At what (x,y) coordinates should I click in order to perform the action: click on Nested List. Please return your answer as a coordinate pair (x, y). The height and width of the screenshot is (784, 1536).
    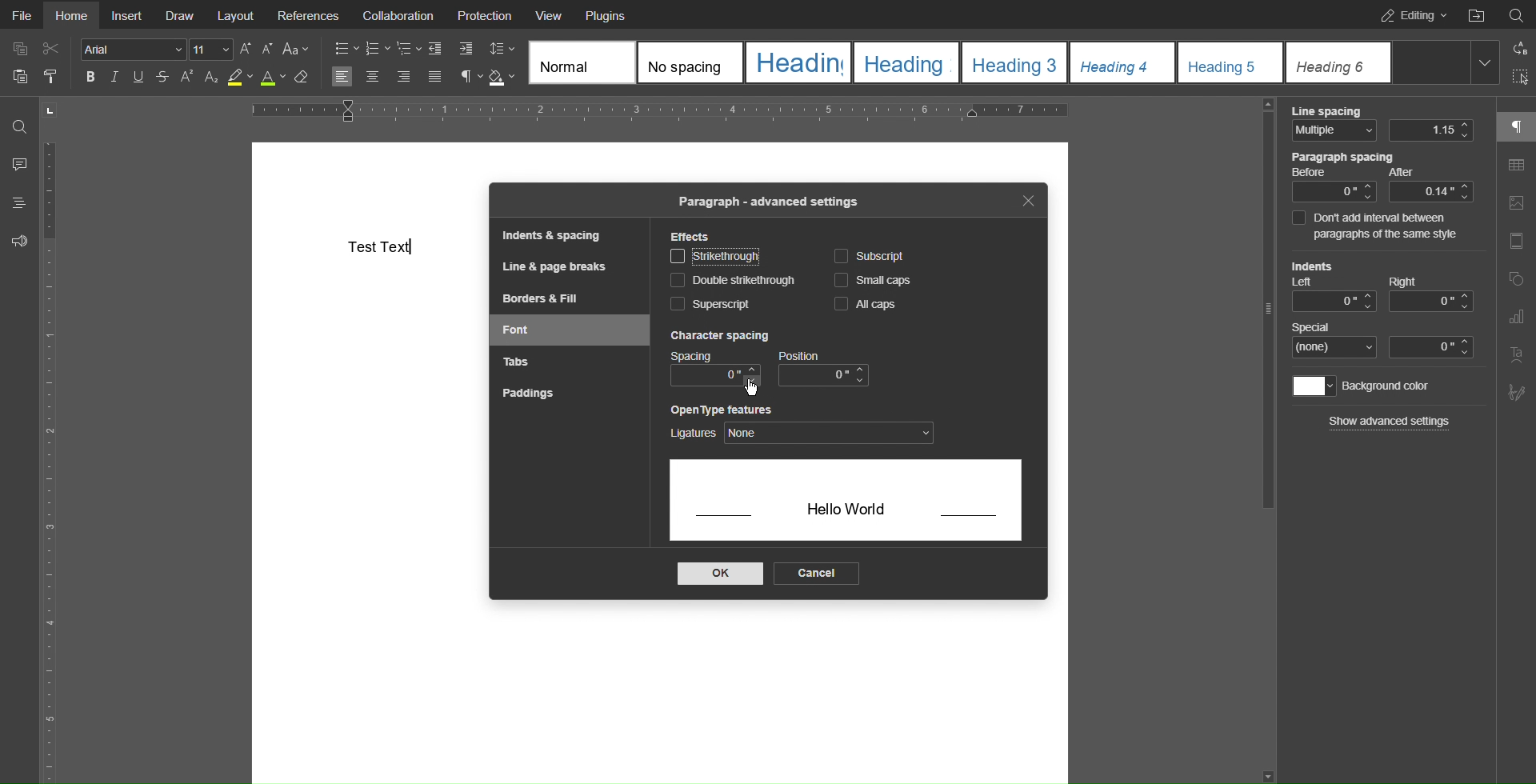
    Looking at the image, I should click on (409, 50).